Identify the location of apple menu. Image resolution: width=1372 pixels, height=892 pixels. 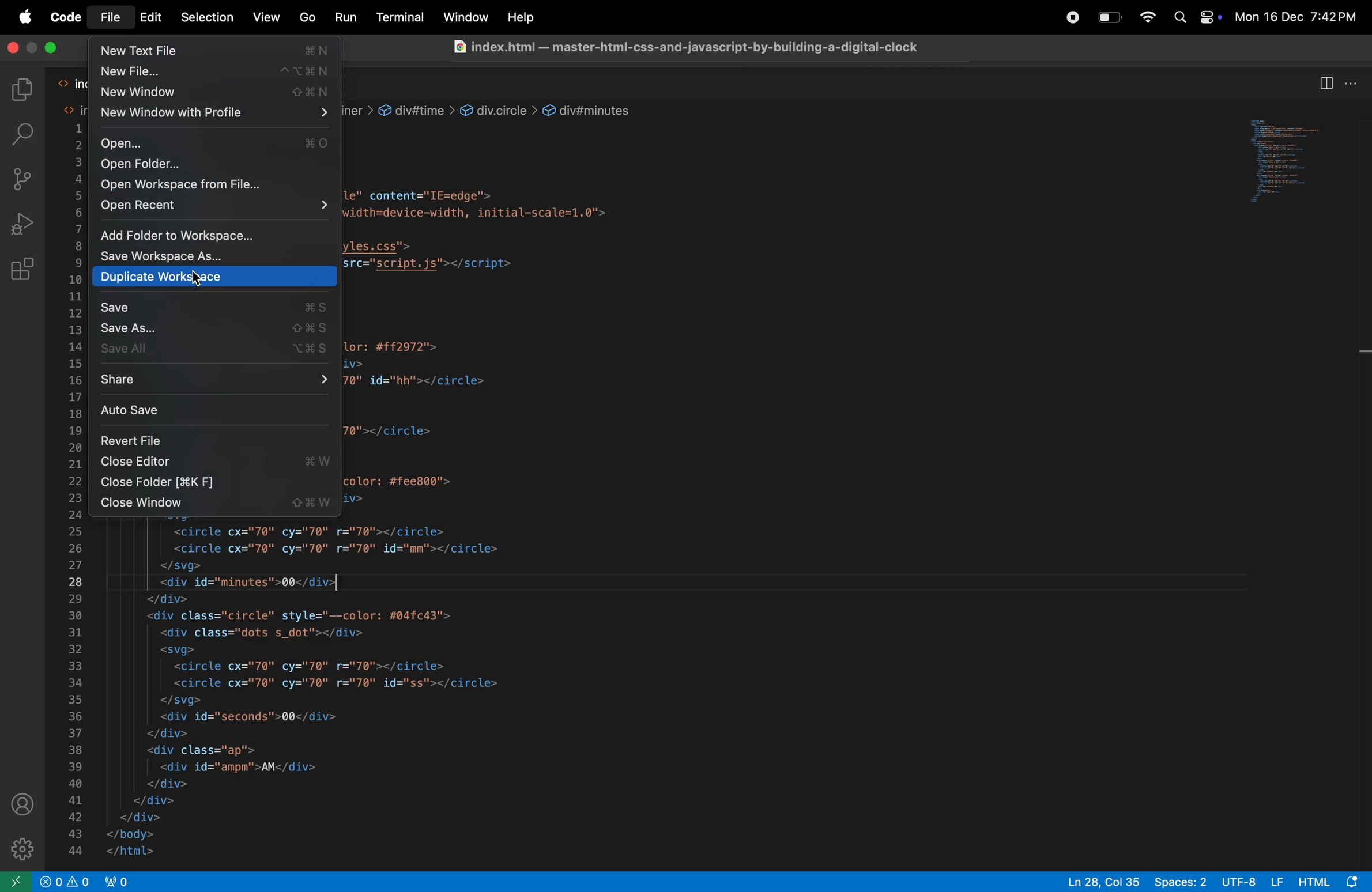
(28, 14).